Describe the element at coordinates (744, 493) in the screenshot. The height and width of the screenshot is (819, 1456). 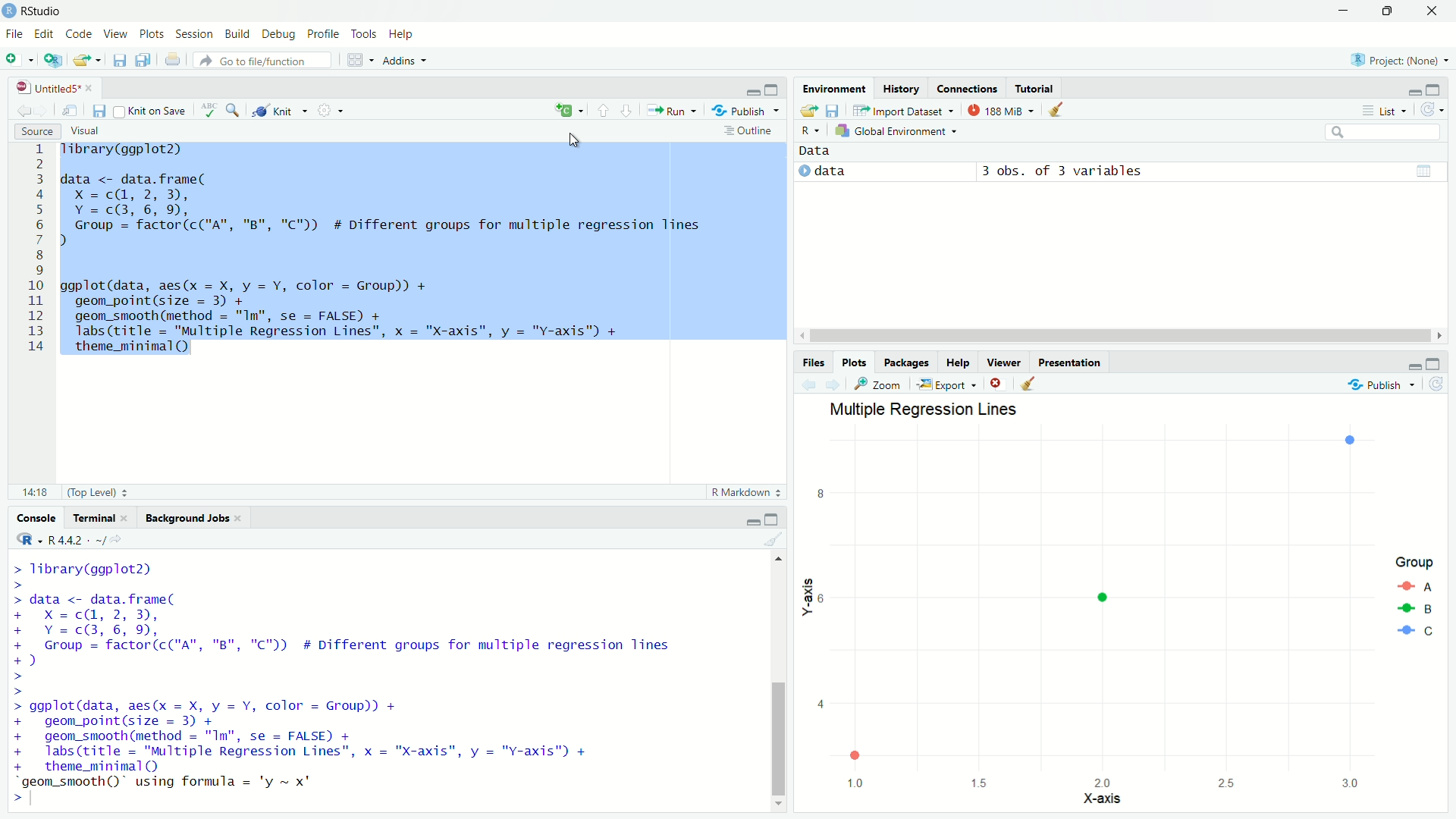
I see `R Markdown` at that location.